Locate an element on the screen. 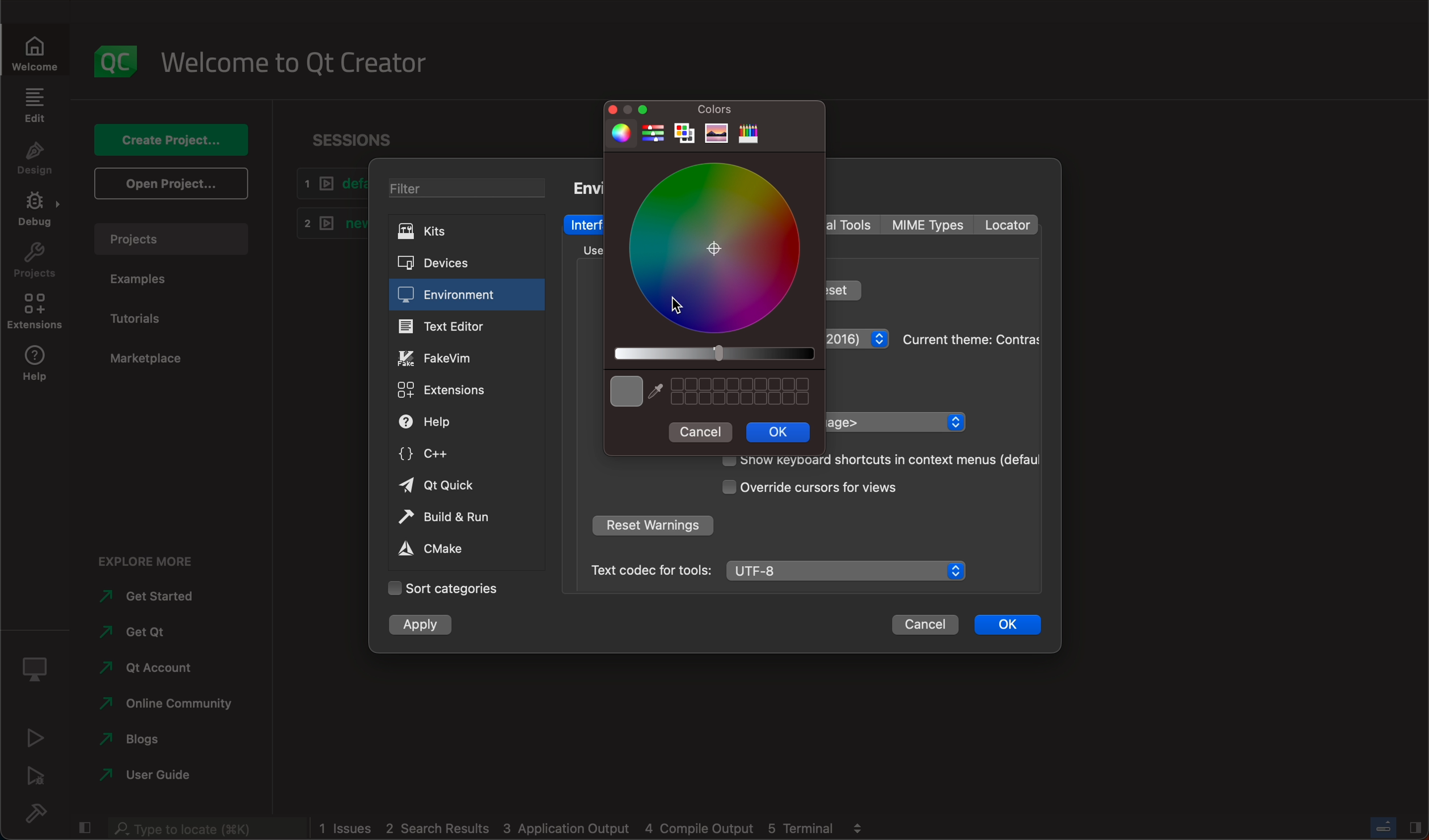  started is located at coordinates (155, 596).